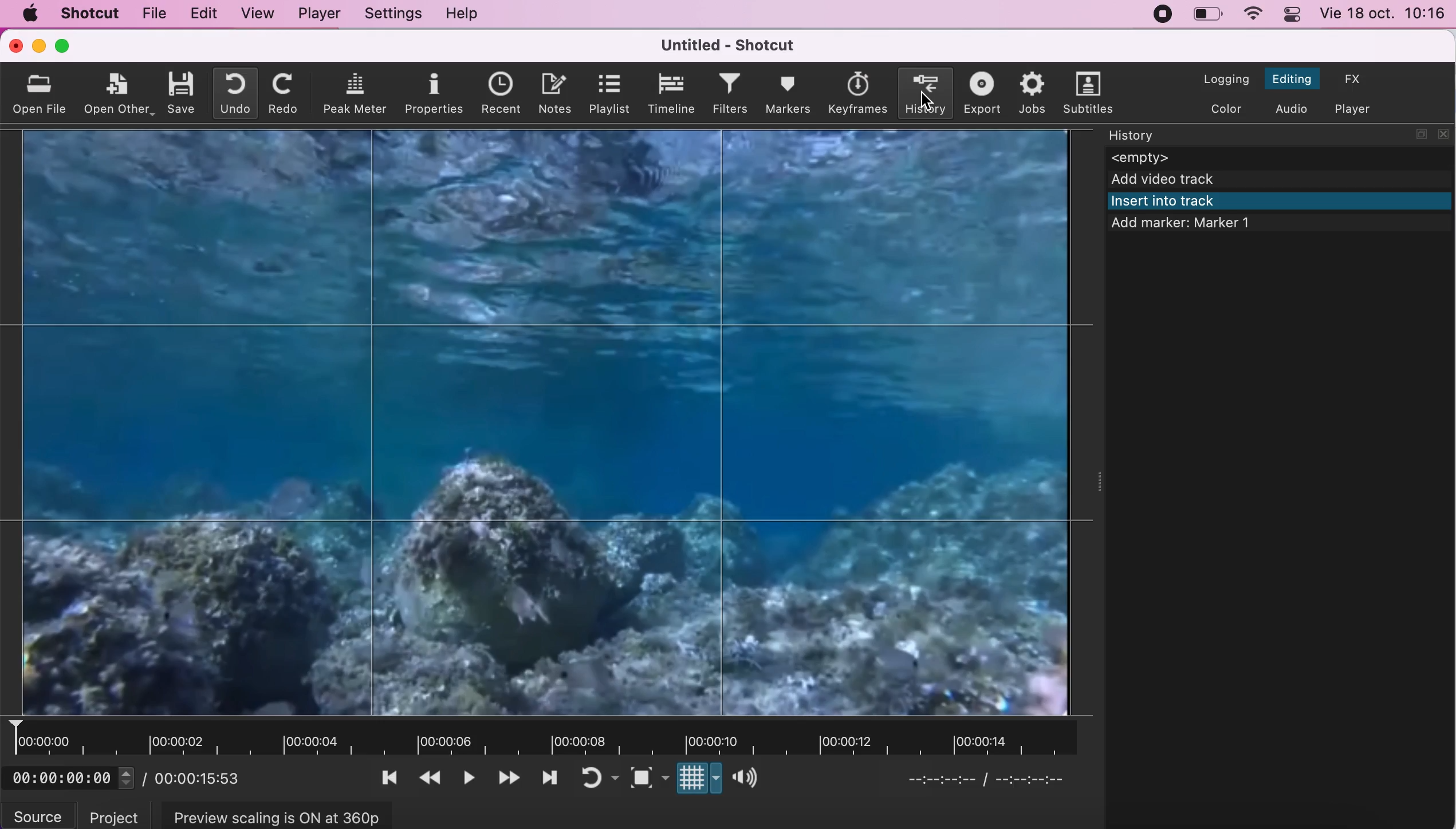 This screenshot has width=1456, height=829. What do you see at coordinates (1201, 226) in the screenshot?
I see `add marker: marker 1` at bounding box center [1201, 226].